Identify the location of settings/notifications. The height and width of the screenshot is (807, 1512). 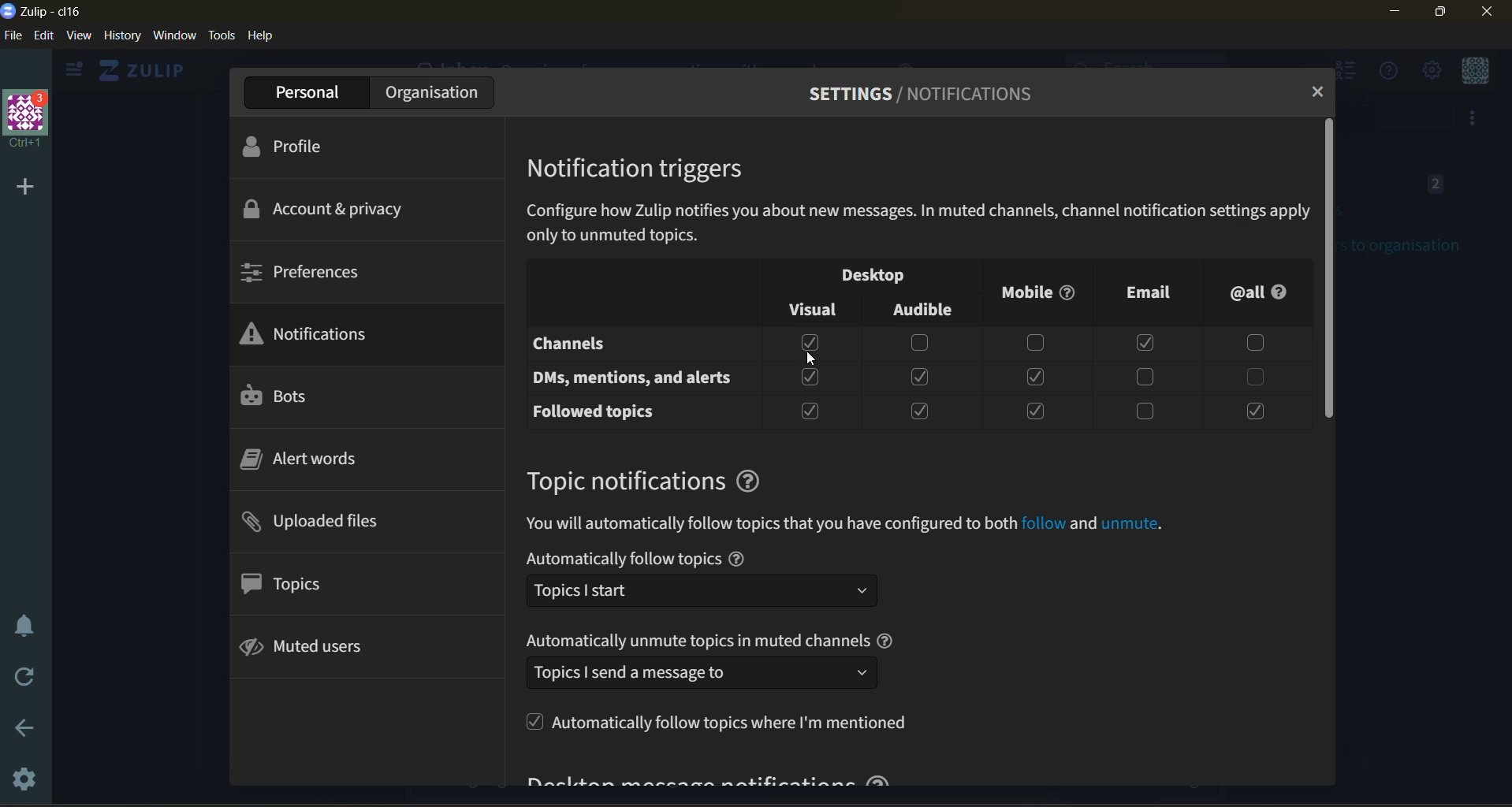
(917, 95).